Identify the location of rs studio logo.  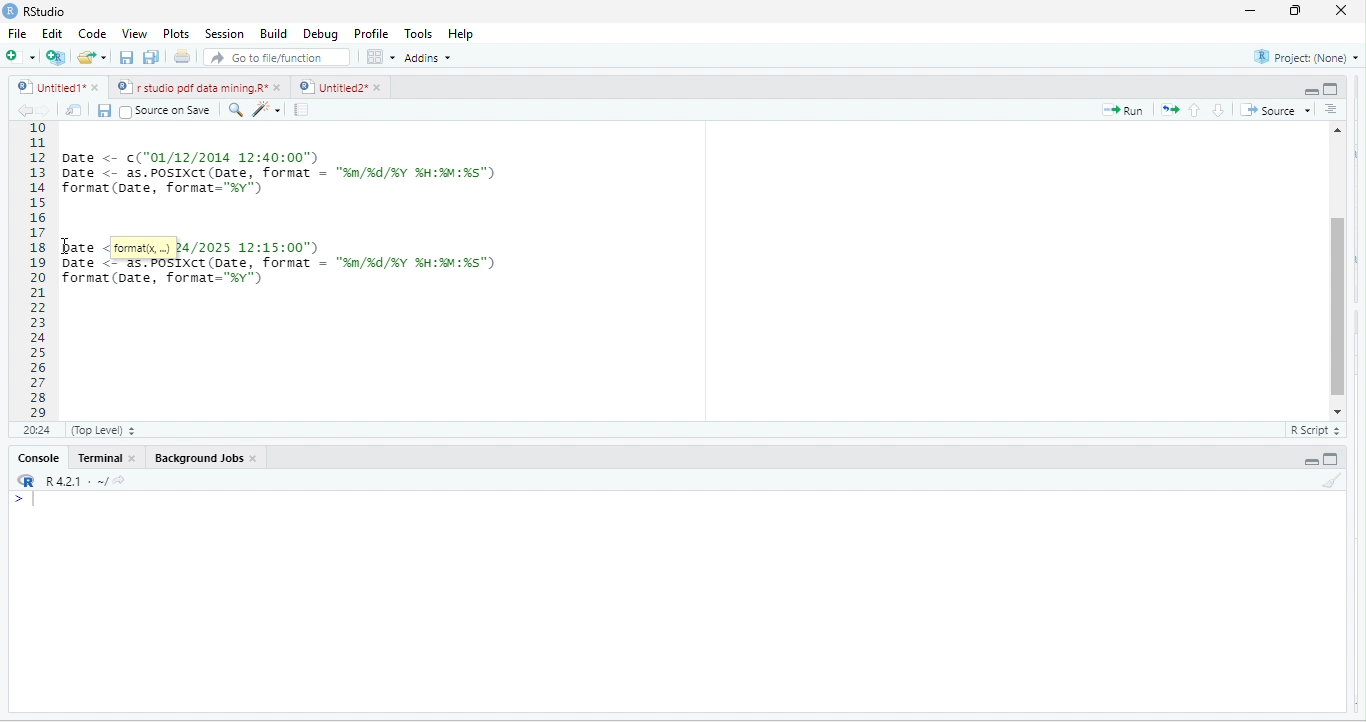
(24, 481).